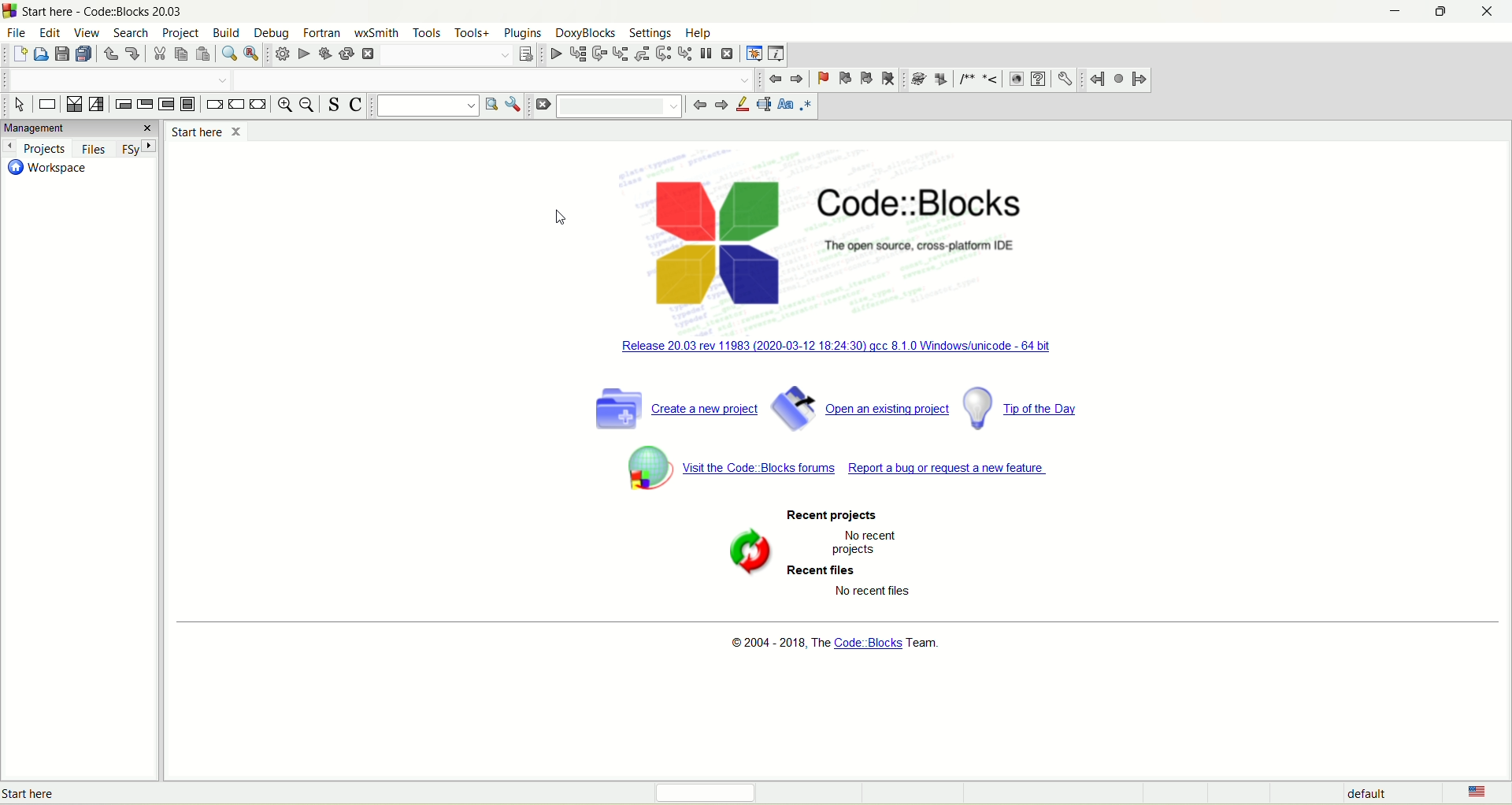 Image resolution: width=1512 pixels, height=805 pixels. Describe the element at coordinates (867, 78) in the screenshot. I see `next bookmark` at that location.